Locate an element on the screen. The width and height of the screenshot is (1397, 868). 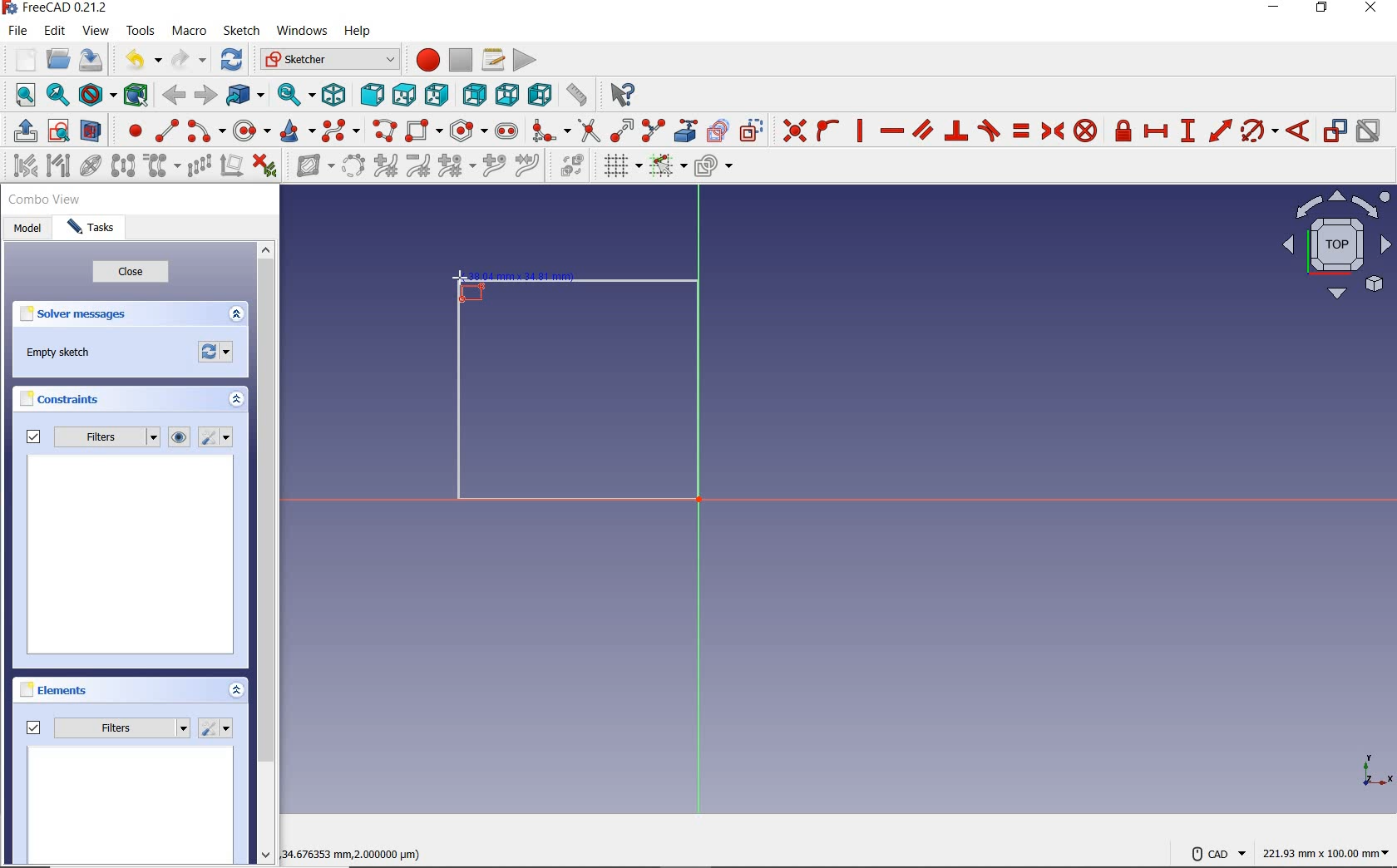
save is located at coordinates (94, 62).